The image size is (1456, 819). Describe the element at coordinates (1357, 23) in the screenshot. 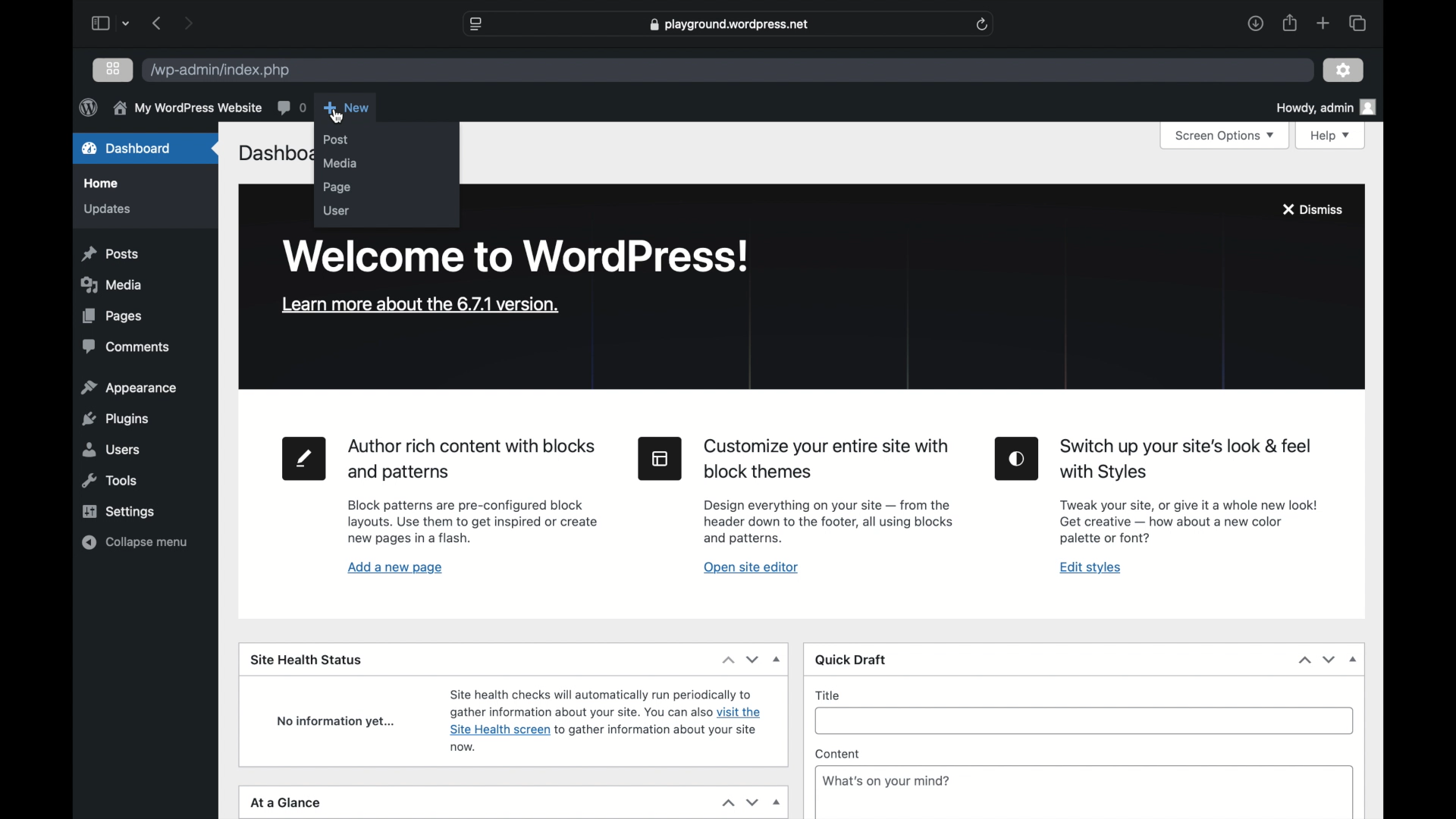

I see `show tab overview` at that location.